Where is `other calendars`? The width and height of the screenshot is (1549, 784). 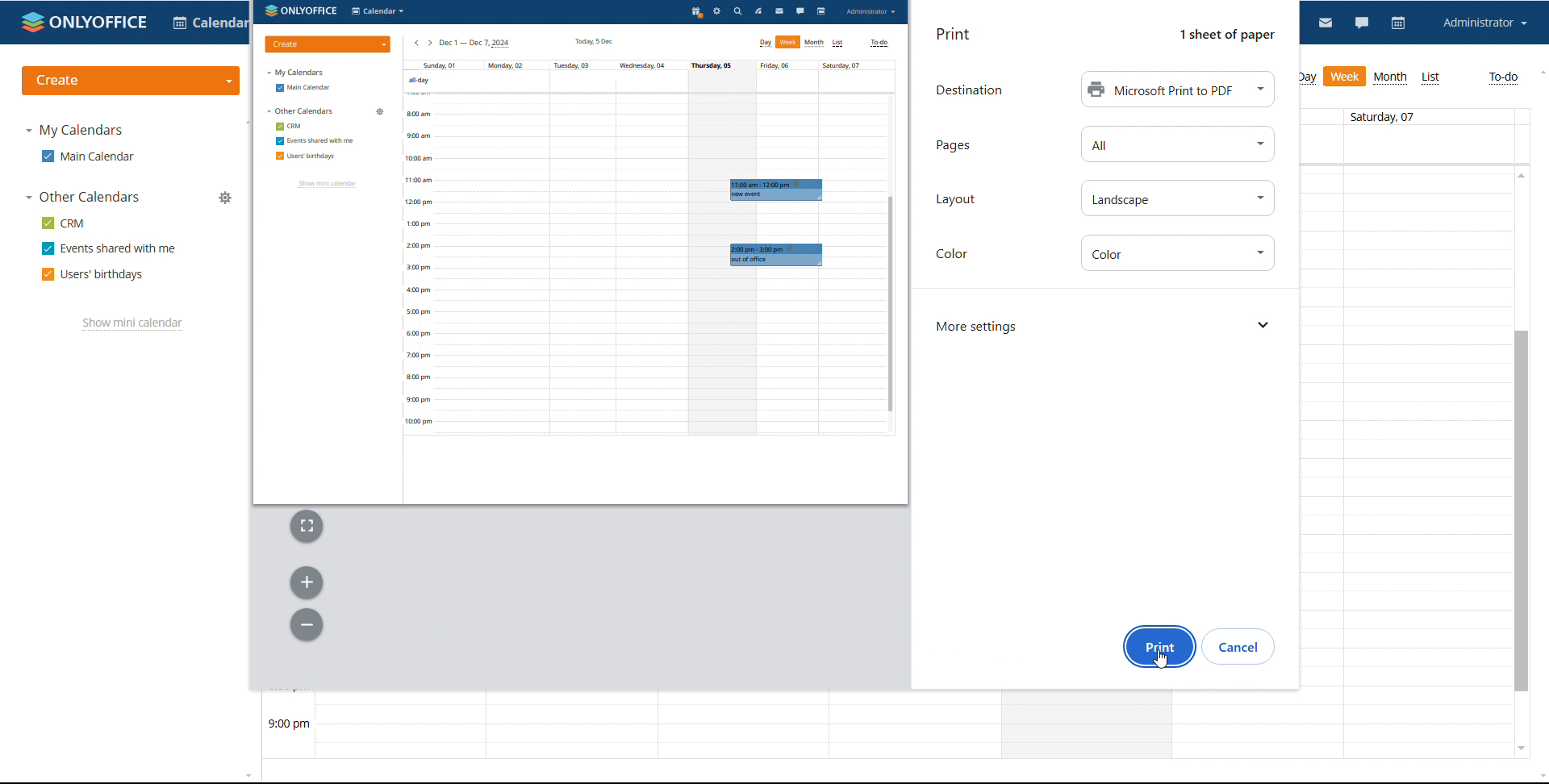 other calendars is located at coordinates (82, 197).